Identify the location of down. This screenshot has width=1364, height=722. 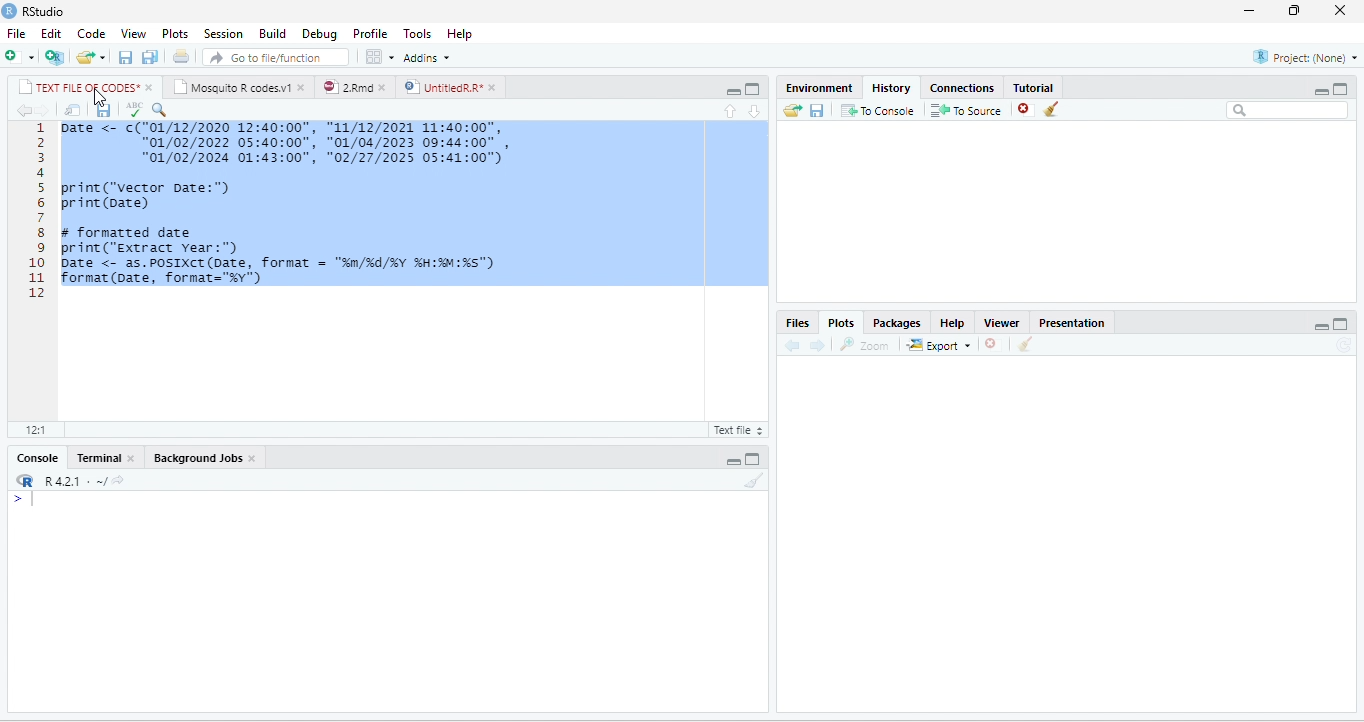
(755, 111).